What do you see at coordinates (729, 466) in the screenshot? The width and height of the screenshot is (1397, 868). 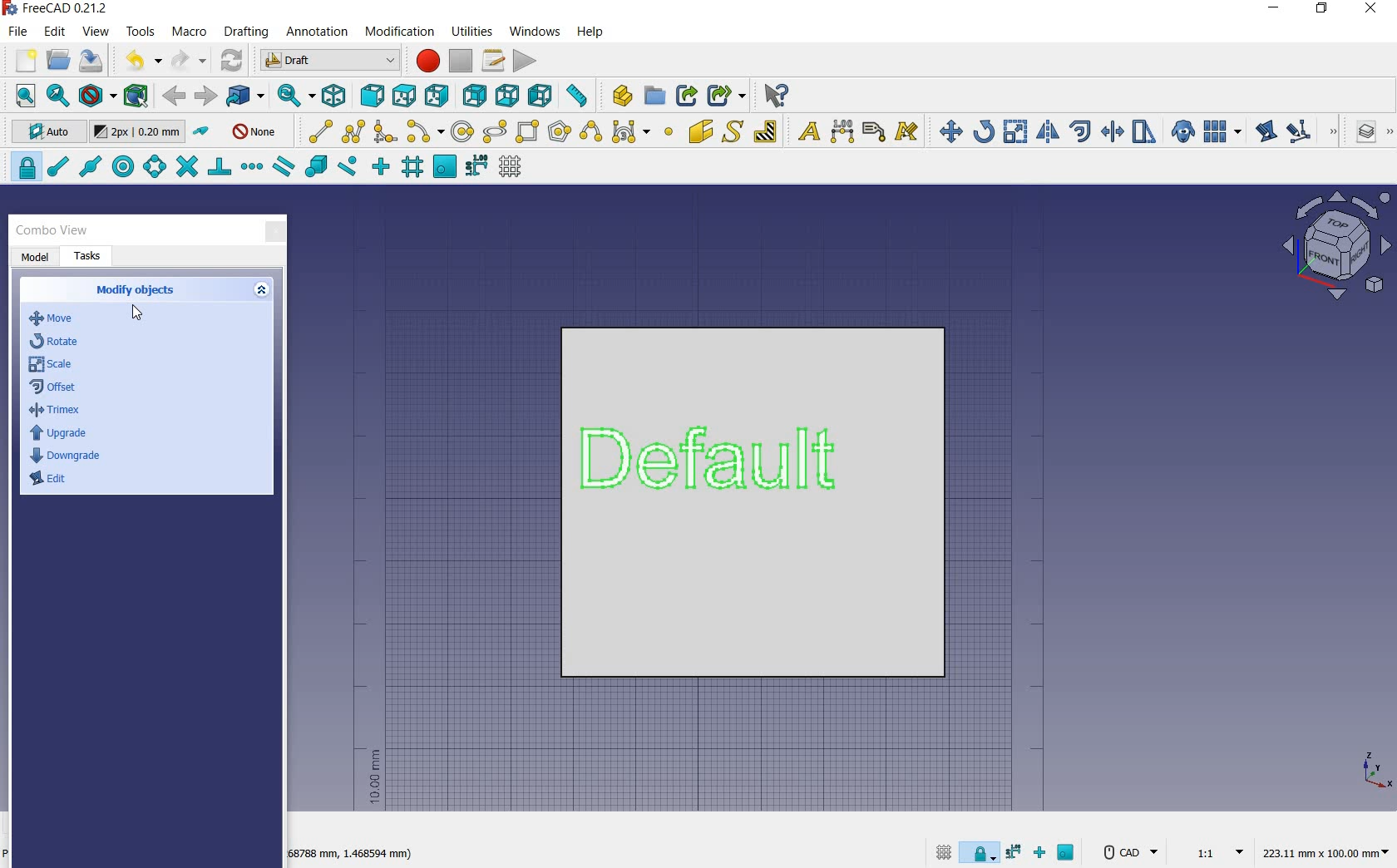 I see `Default` at bounding box center [729, 466].